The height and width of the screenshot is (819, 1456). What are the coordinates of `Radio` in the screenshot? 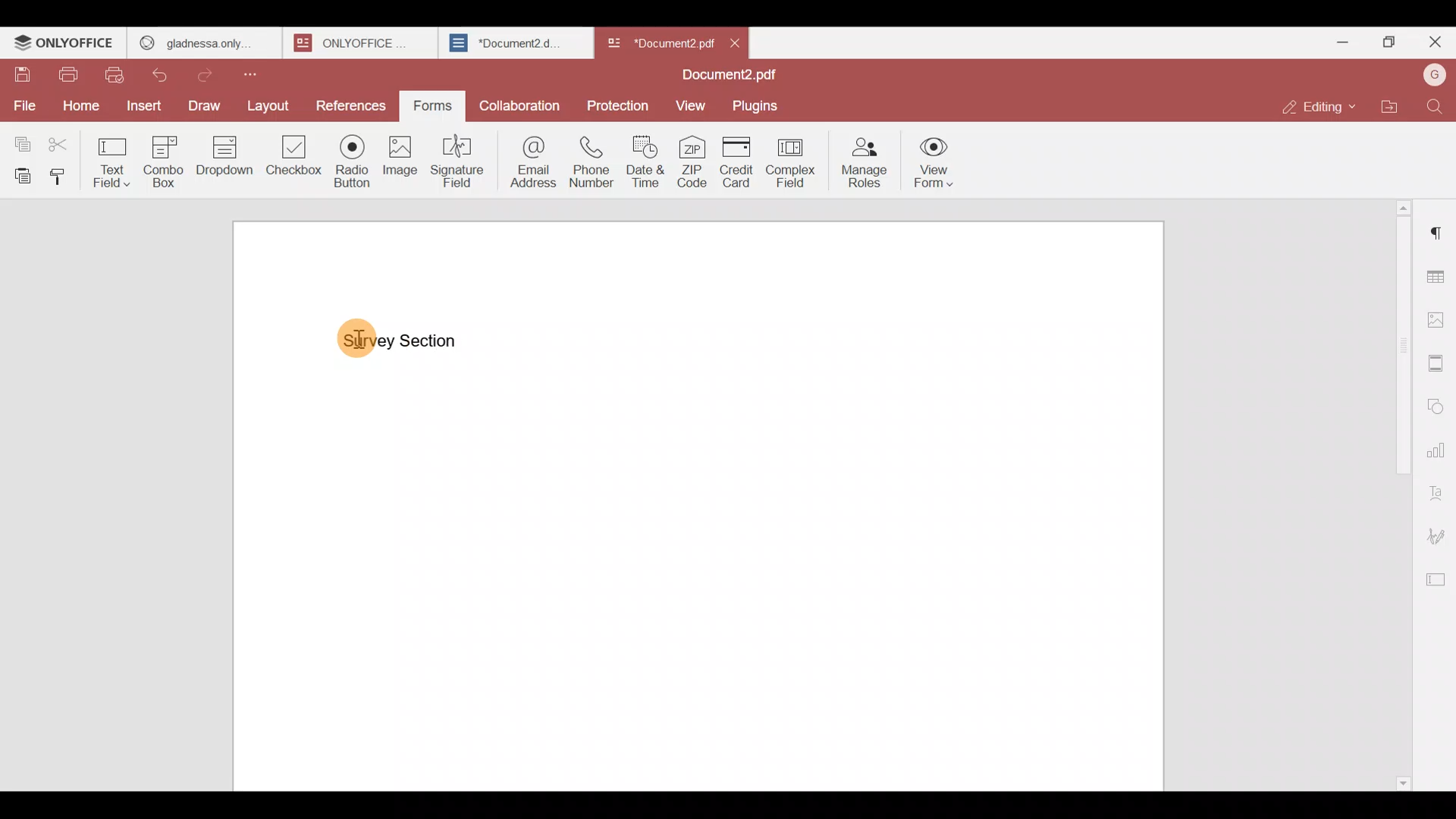 It's located at (351, 158).